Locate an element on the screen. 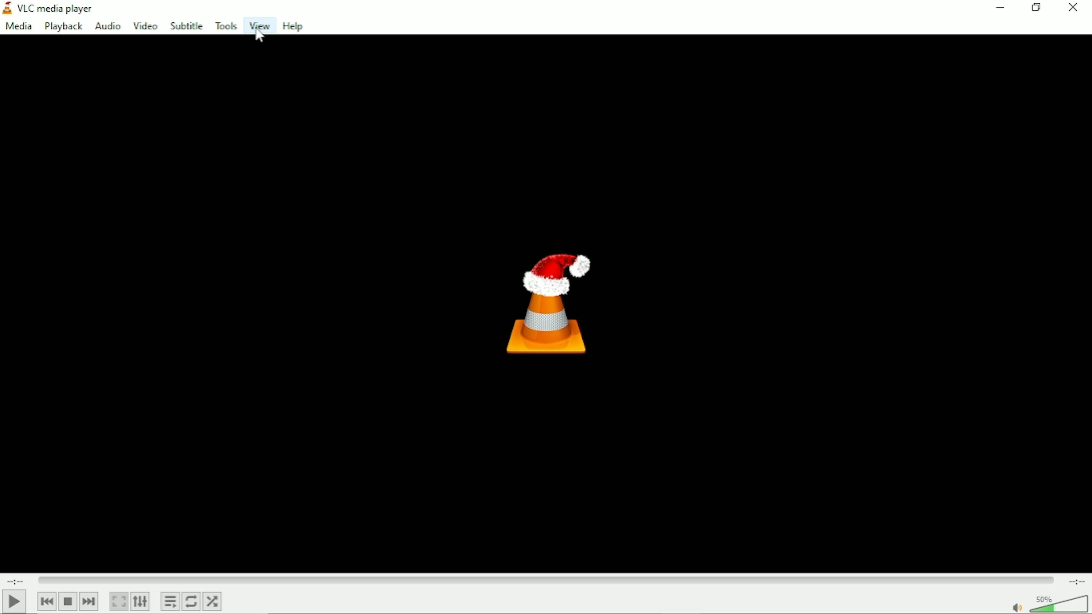  View is located at coordinates (258, 26).